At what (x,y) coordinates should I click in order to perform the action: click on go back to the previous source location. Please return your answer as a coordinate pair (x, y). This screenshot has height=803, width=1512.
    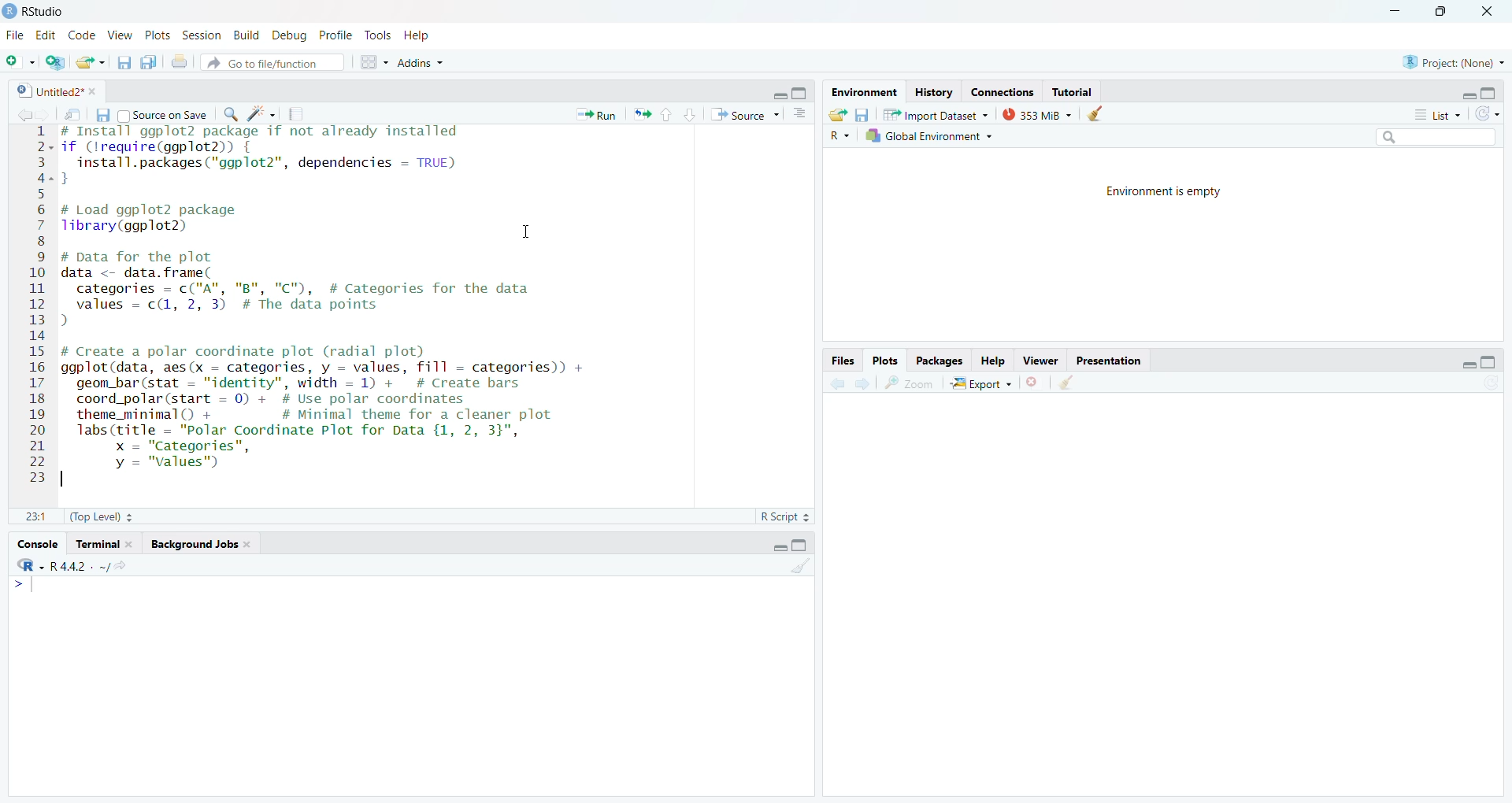
    Looking at the image, I should click on (26, 115).